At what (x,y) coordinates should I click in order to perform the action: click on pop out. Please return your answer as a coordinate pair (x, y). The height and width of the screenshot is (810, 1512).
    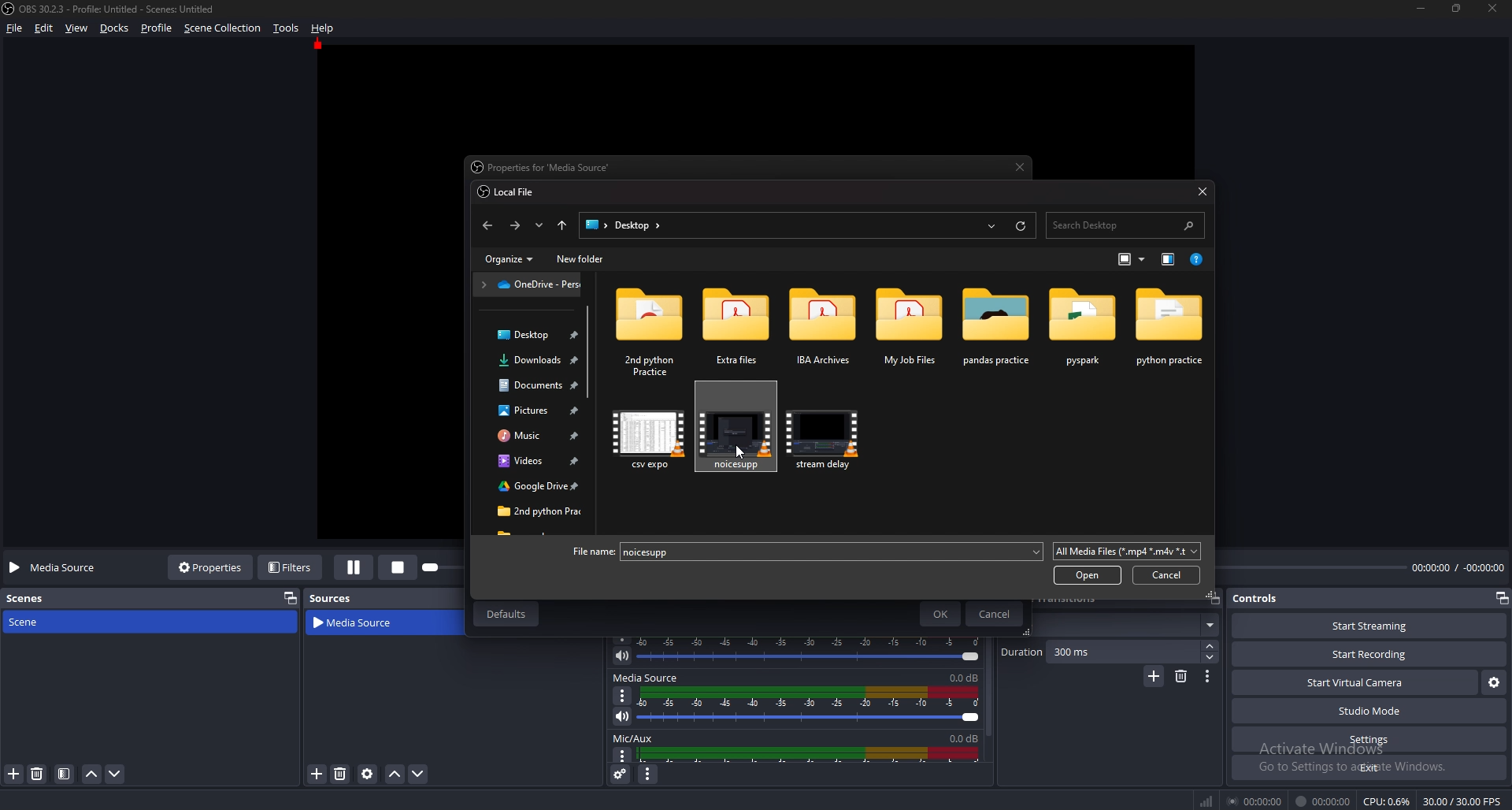
    Looking at the image, I should click on (1501, 600).